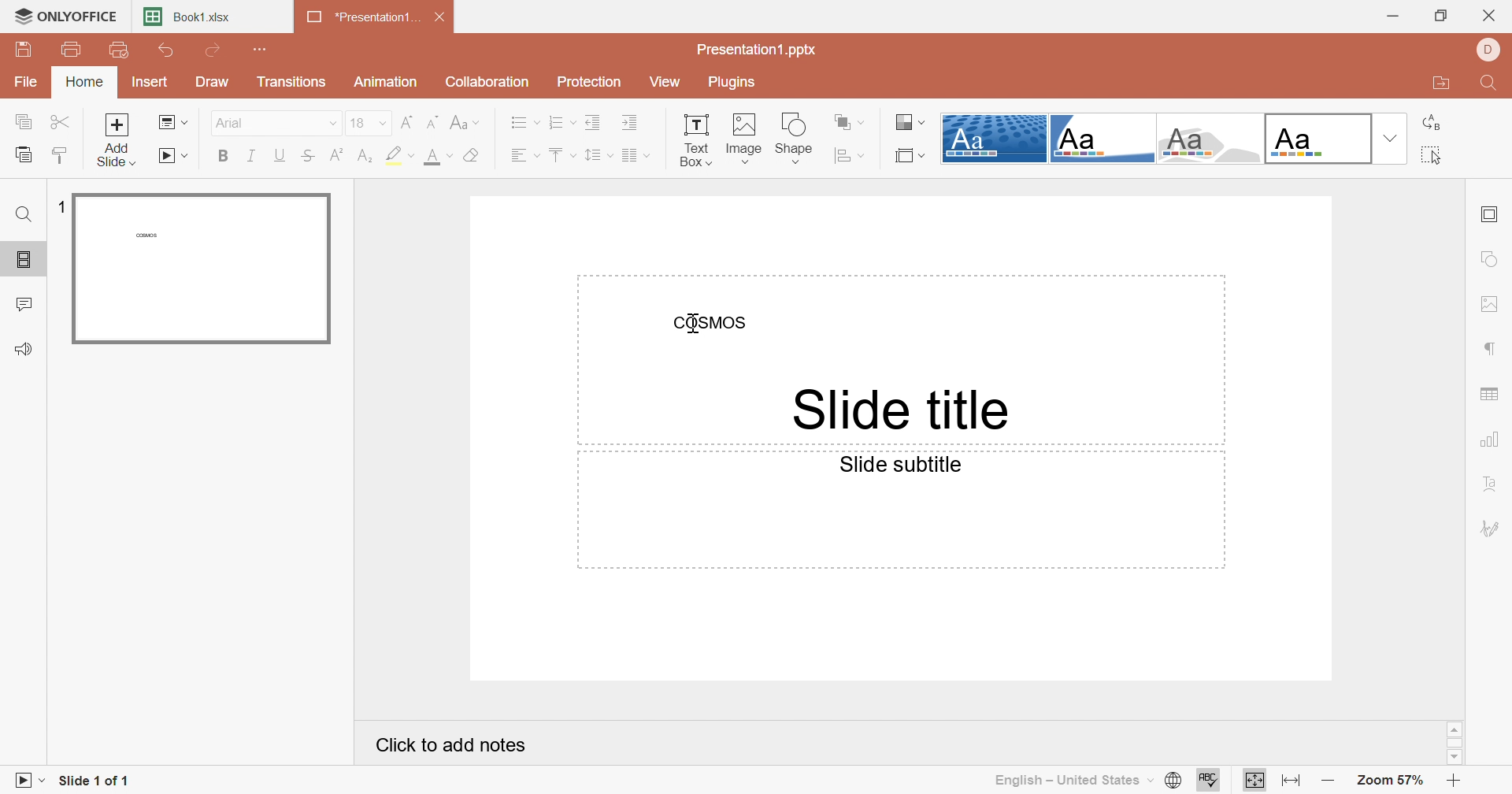  Describe the element at coordinates (60, 206) in the screenshot. I see `1` at that location.